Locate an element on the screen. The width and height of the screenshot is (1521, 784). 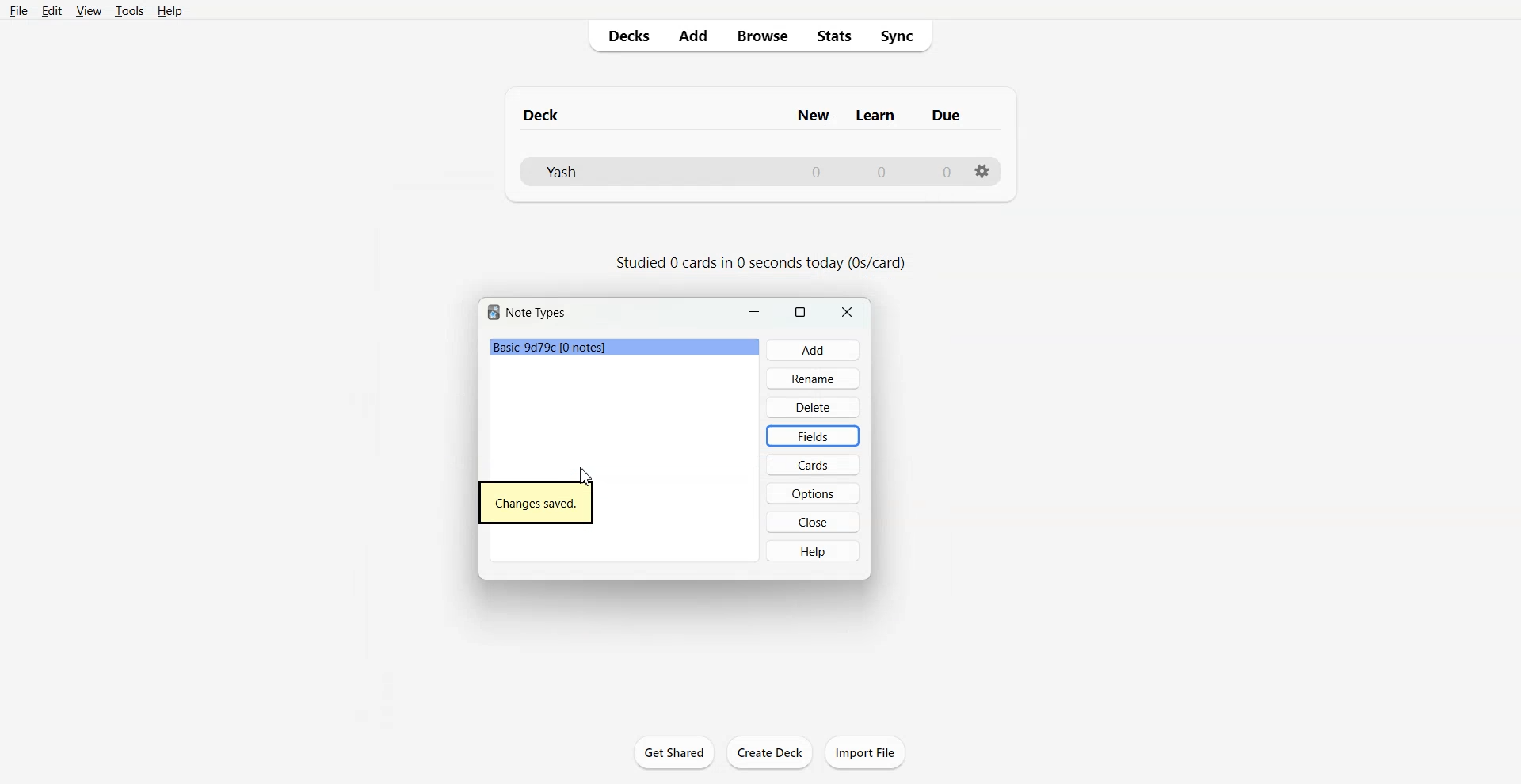
Get Shared is located at coordinates (674, 752).